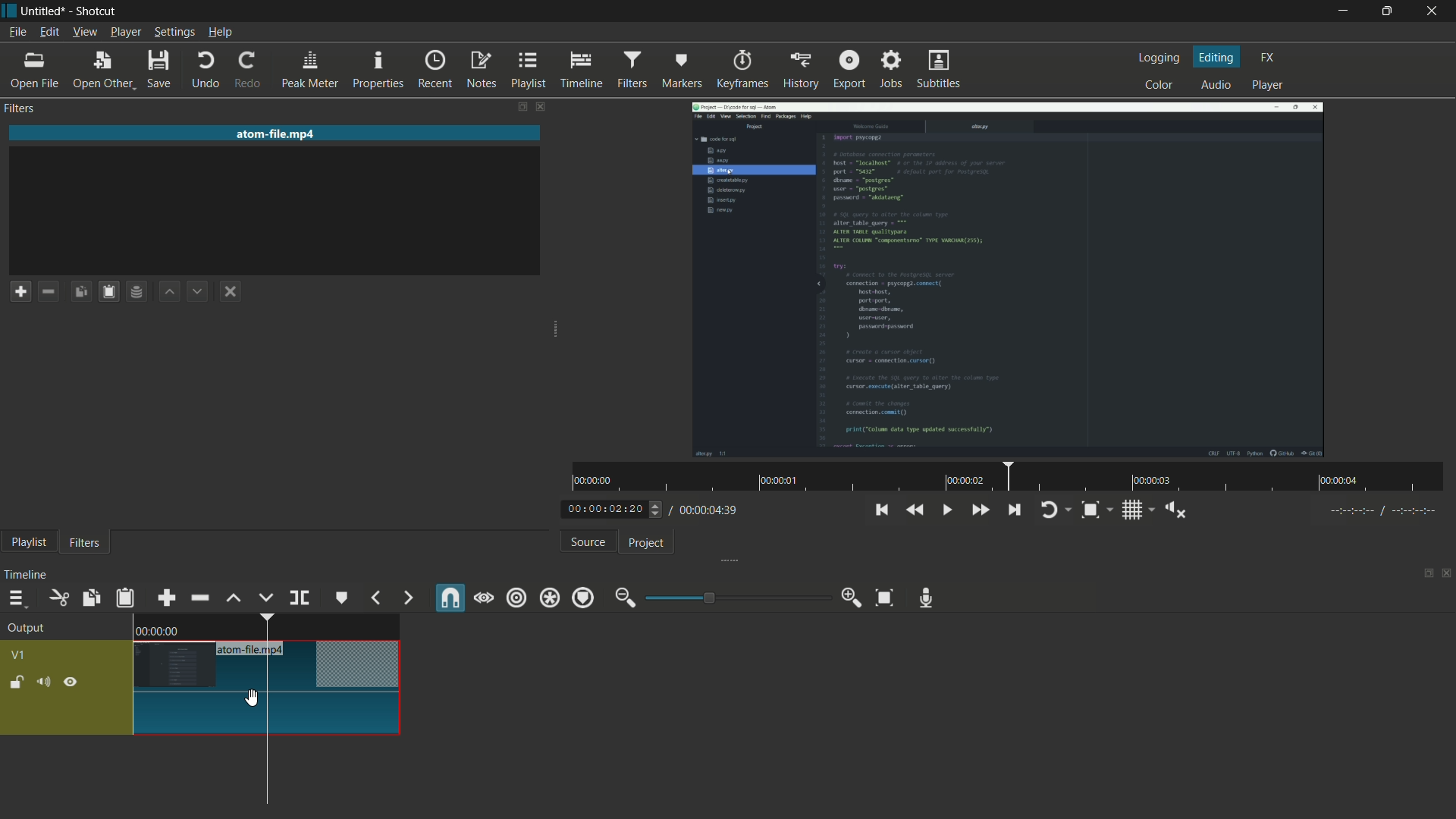 The height and width of the screenshot is (819, 1456). What do you see at coordinates (309, 71) in the screenshot?
I see `peak meter` at bounding box center [309, 71].